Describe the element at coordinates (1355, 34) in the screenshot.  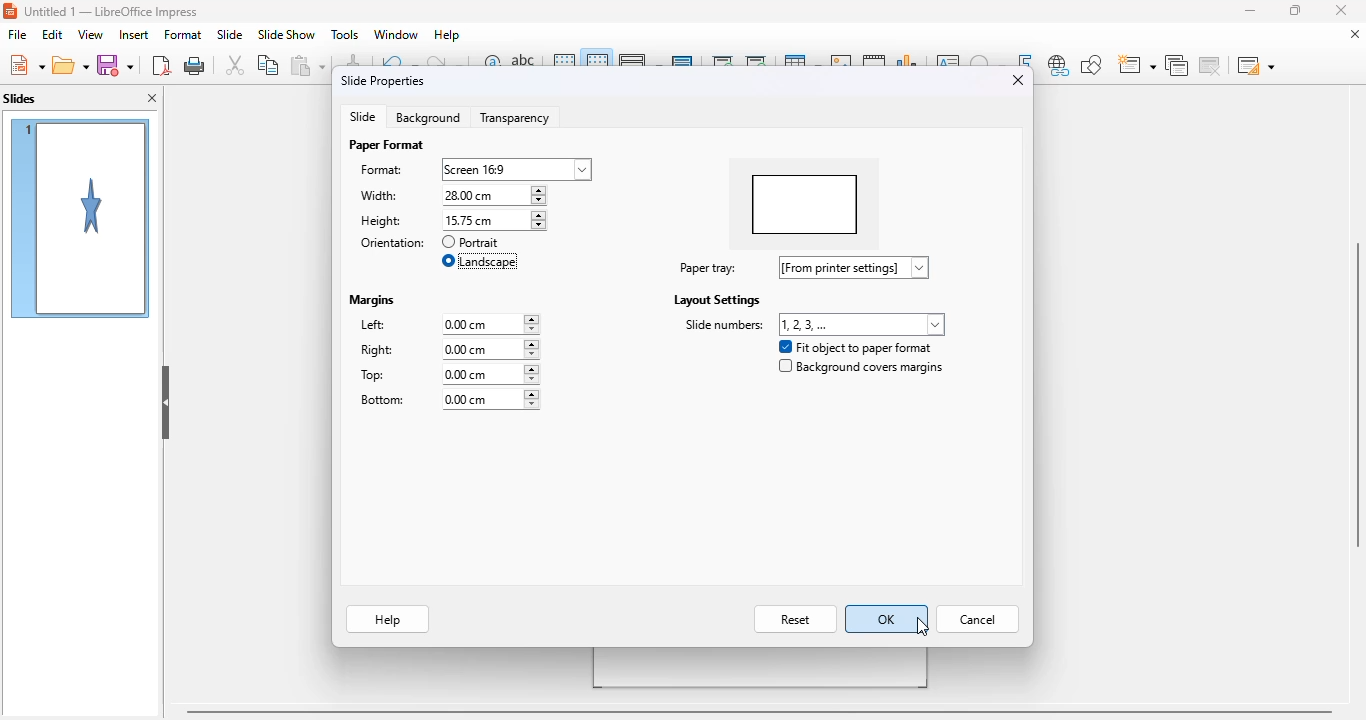
I see `close document` at that location.